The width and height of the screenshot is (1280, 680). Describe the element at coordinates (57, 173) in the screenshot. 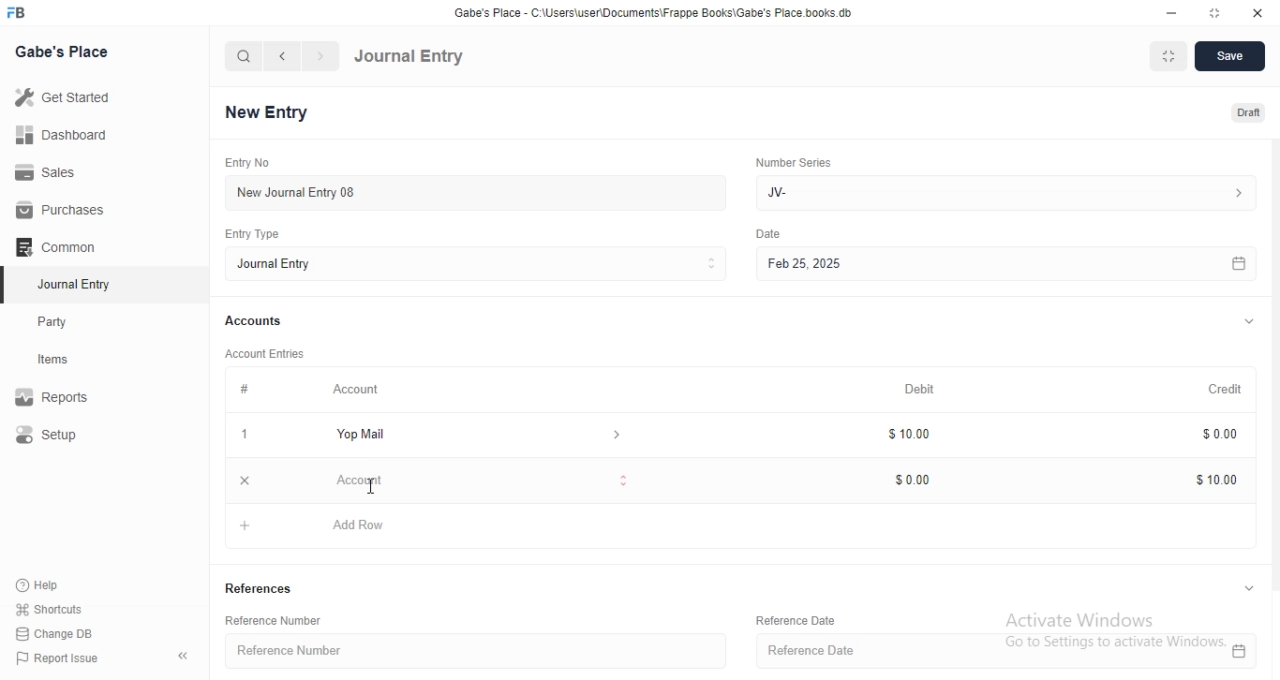

I see `Sales` at that location.